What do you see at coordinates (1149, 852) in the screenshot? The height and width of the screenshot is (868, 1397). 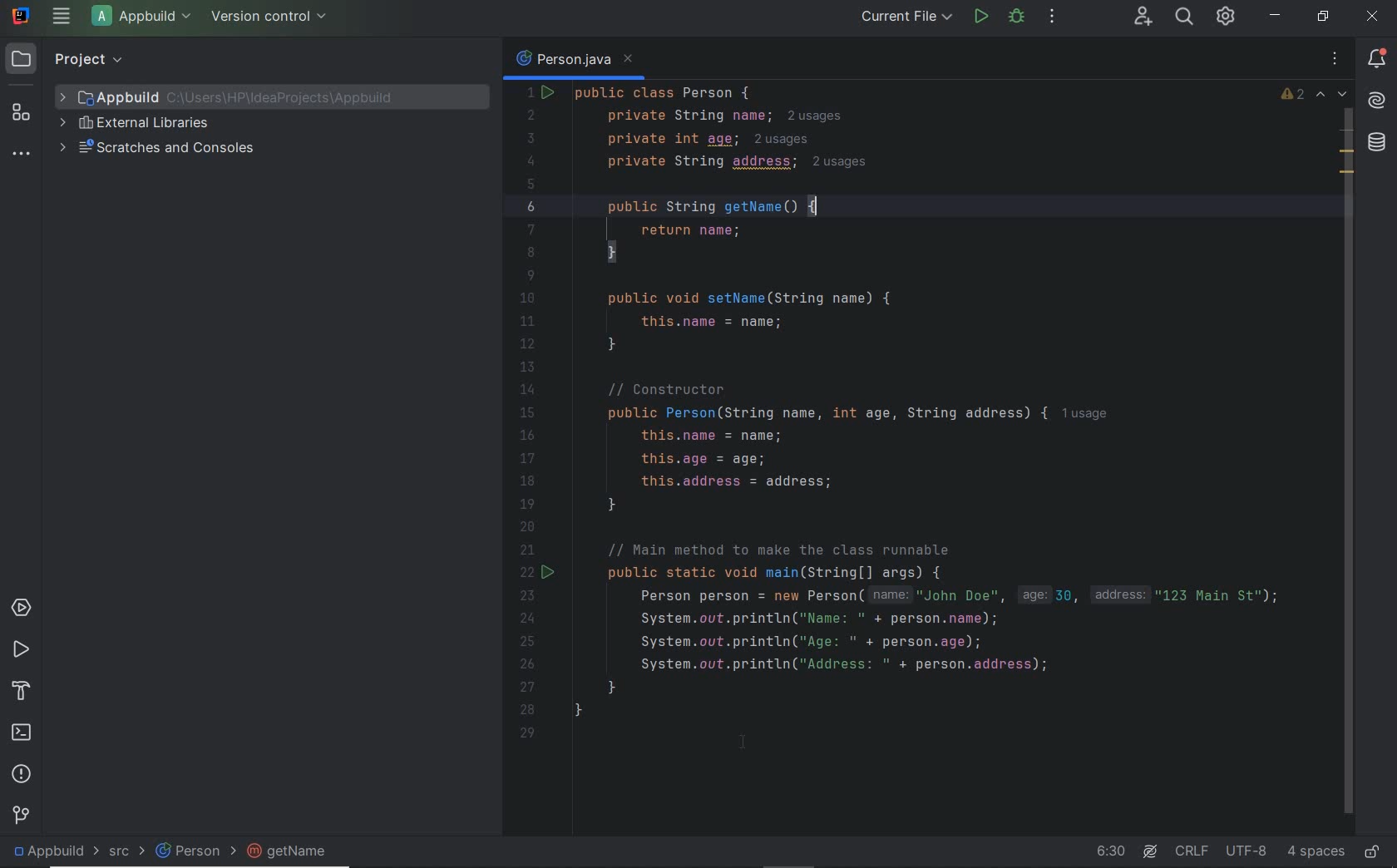 I see `AI Assistant` at bounding box center [1149, 852].